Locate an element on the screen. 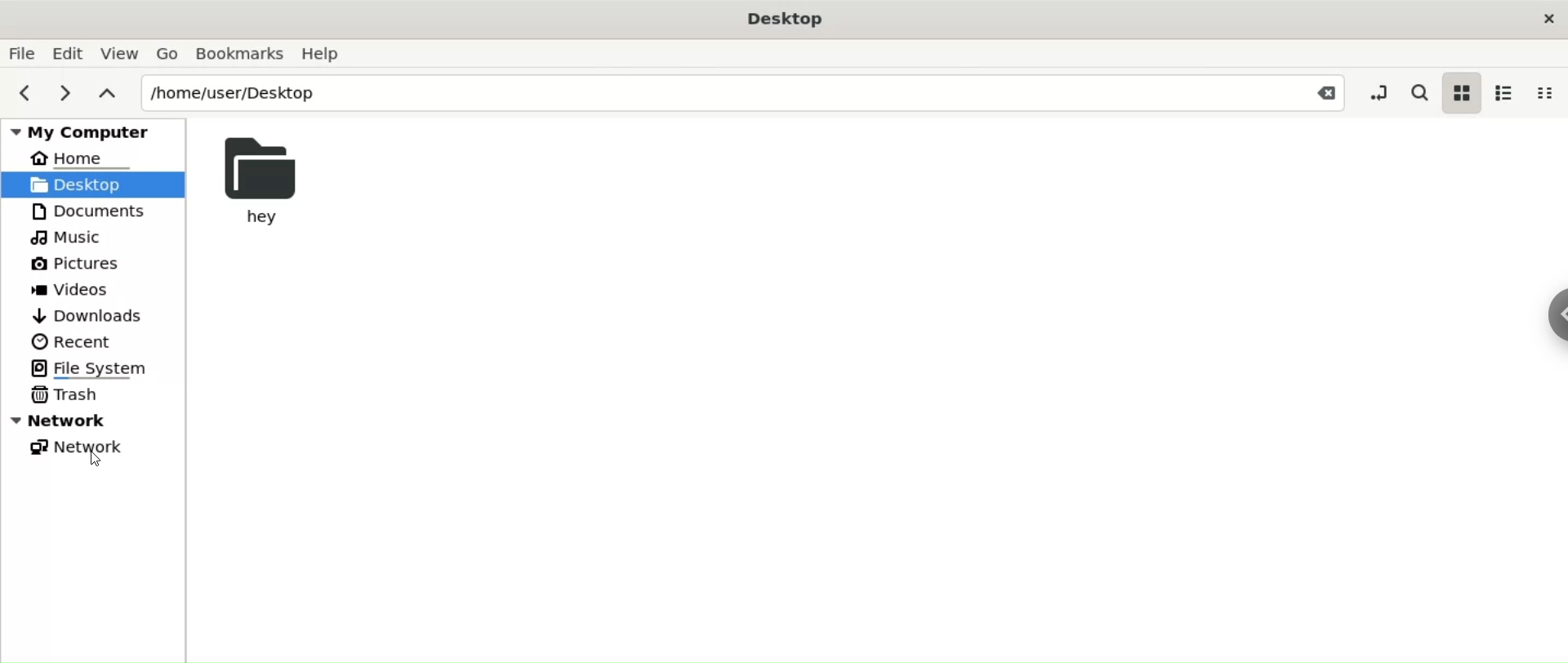  parent folders is located at coordinates (105, 91).